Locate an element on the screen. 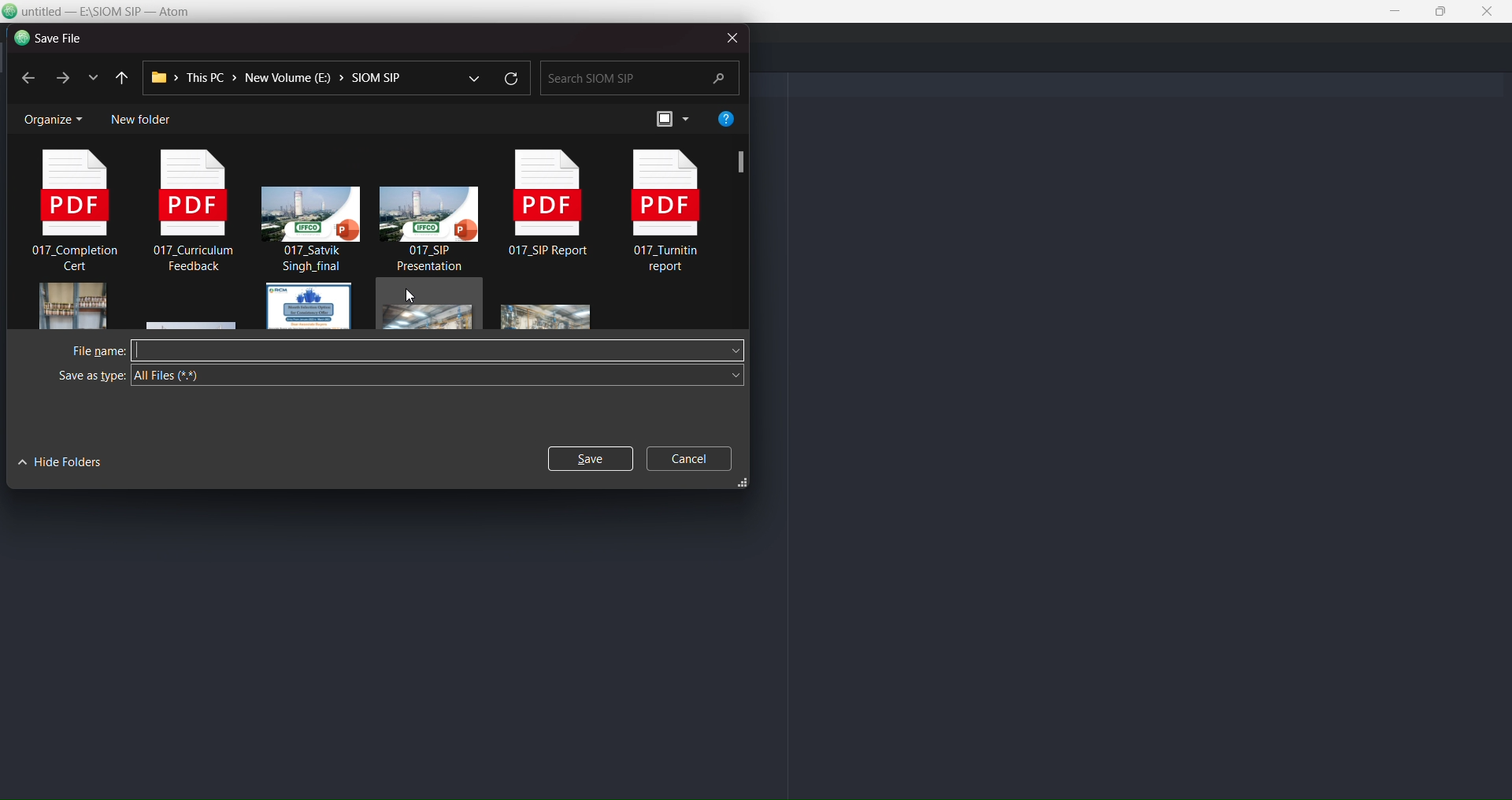  cursor is located at coordinates (407, 297).